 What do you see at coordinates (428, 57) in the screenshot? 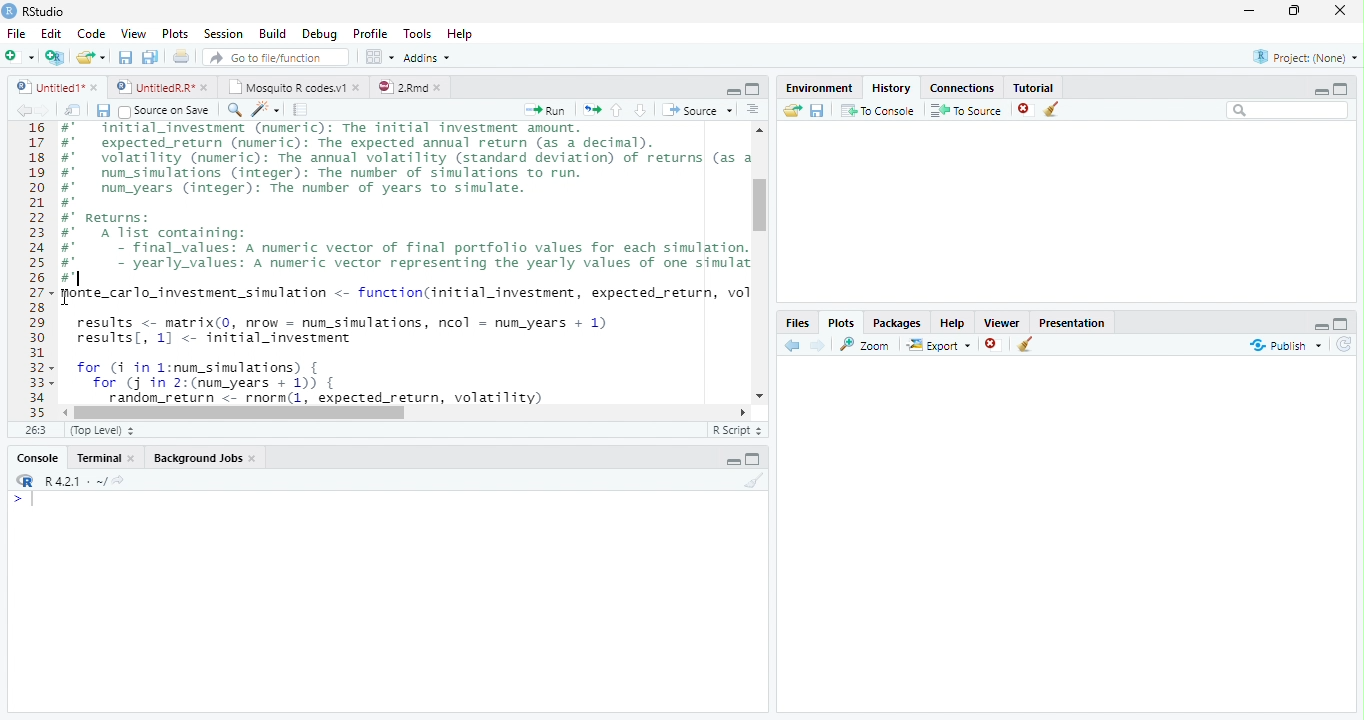
I see `Addins` at bounding box center [428, 57].